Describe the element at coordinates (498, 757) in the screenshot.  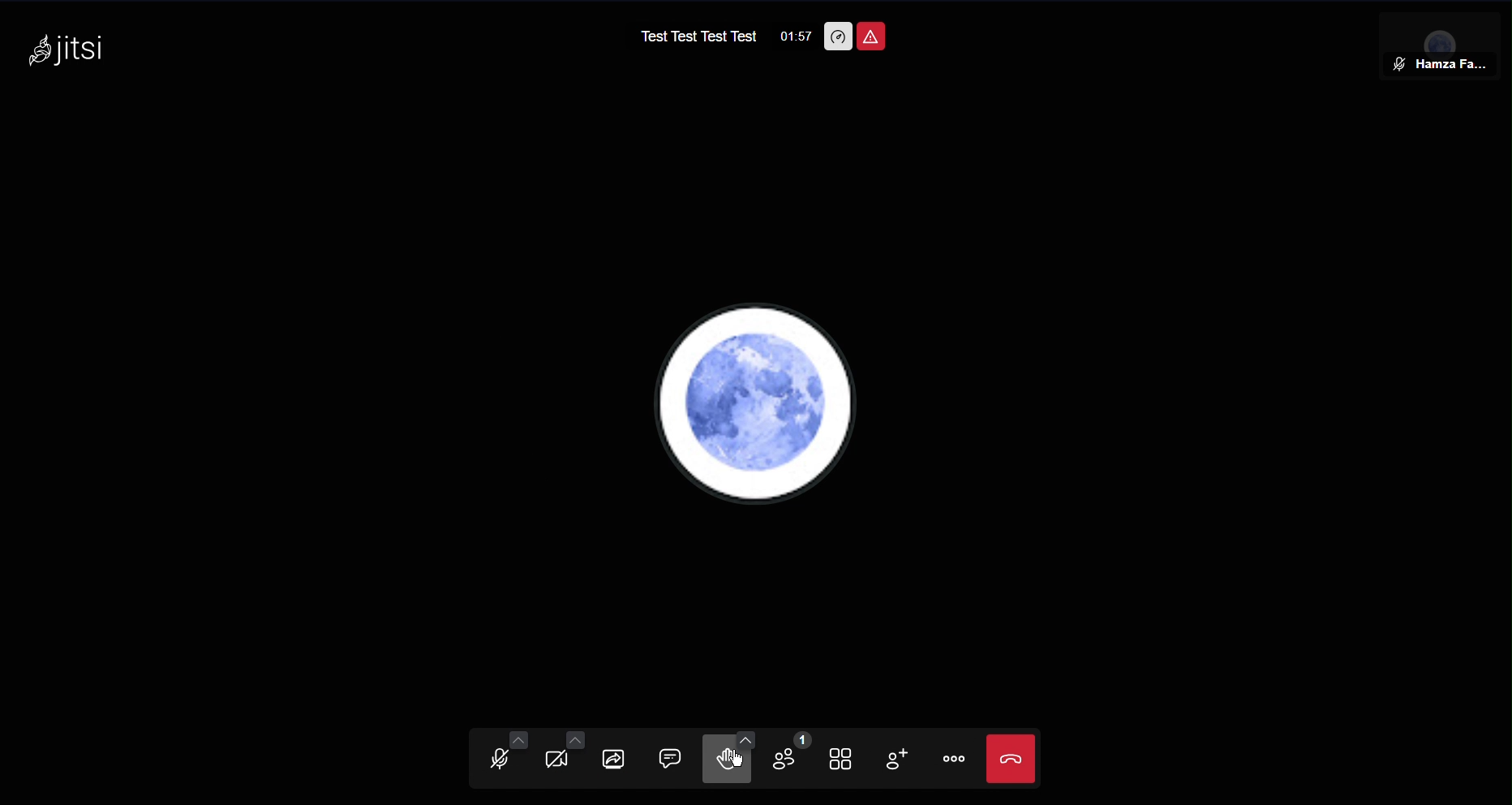
I see `Audio` at that location.